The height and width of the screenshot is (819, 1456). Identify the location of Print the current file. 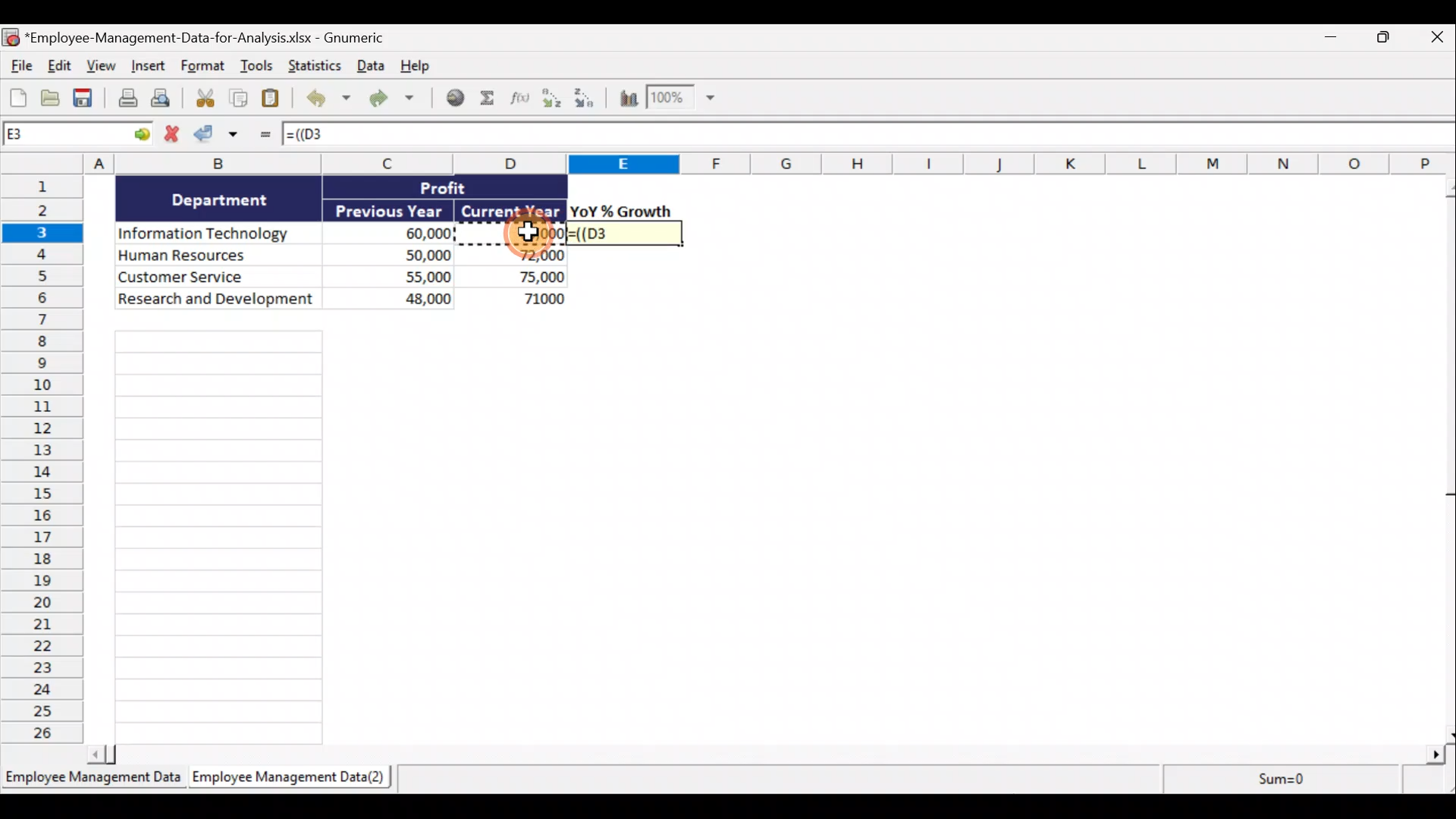
(126, 100).